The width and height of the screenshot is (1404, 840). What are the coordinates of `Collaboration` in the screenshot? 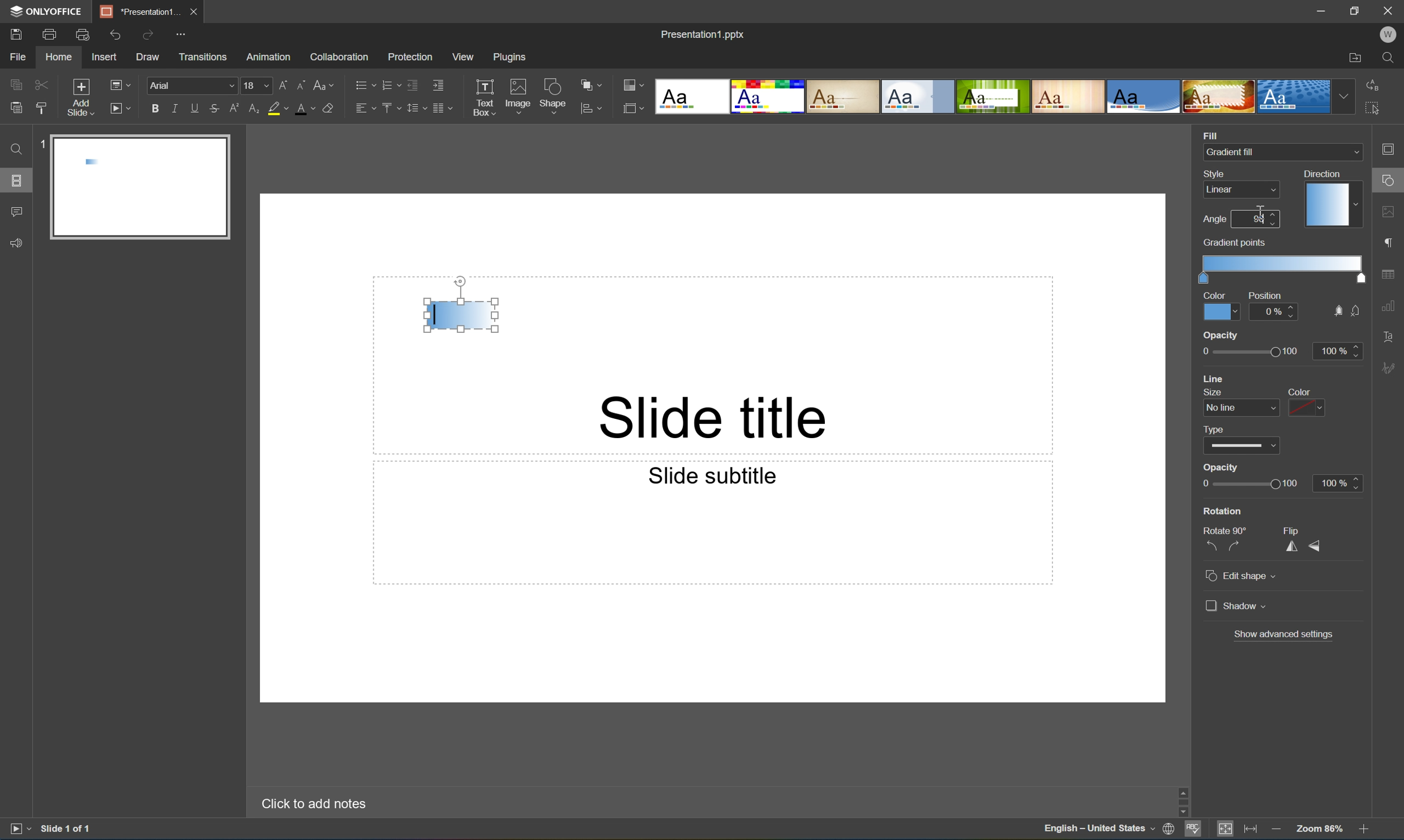 It's located at (337, 56).